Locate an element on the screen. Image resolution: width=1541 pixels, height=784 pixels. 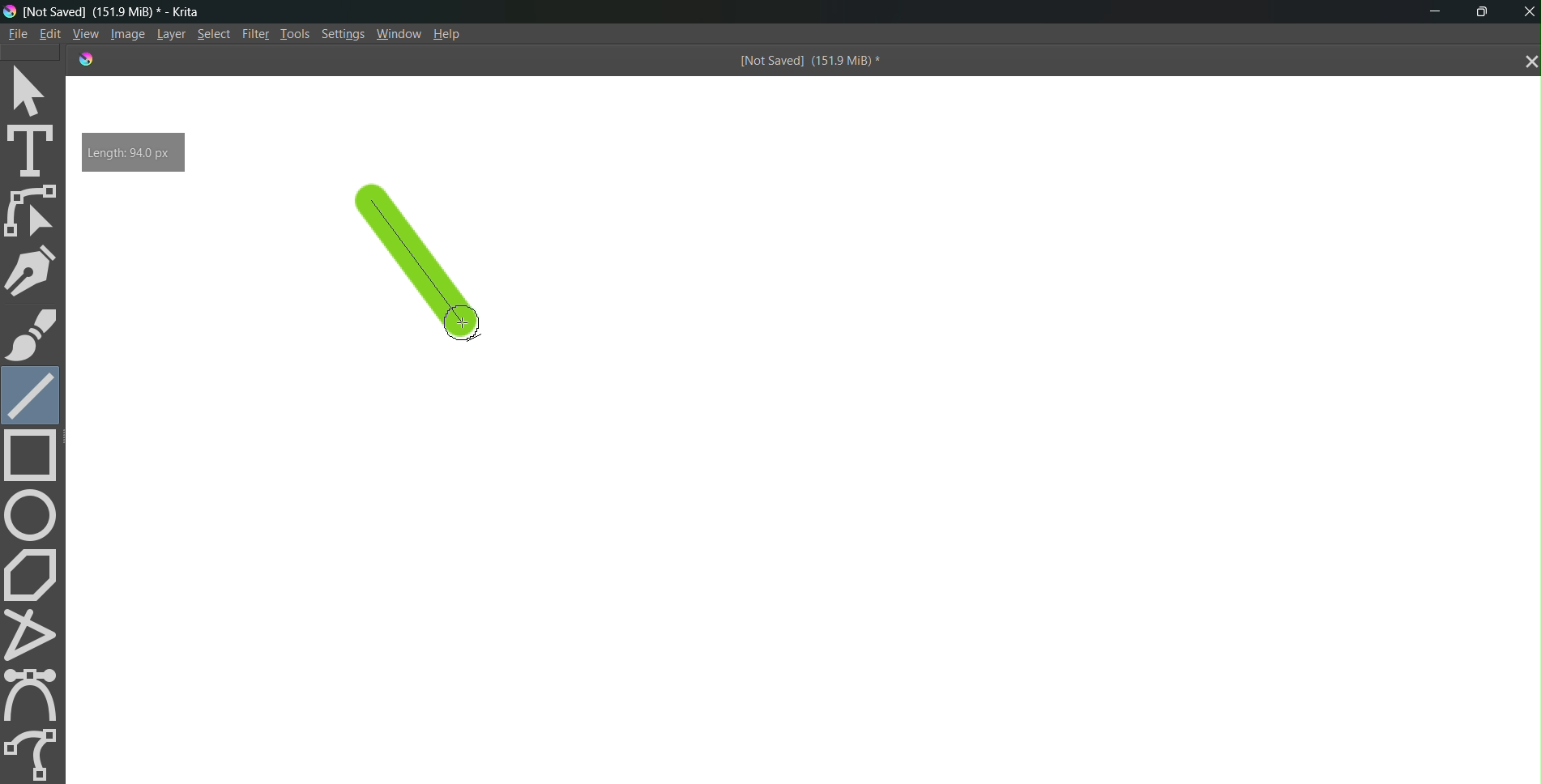
cursor is located at coordinates (461, 321).